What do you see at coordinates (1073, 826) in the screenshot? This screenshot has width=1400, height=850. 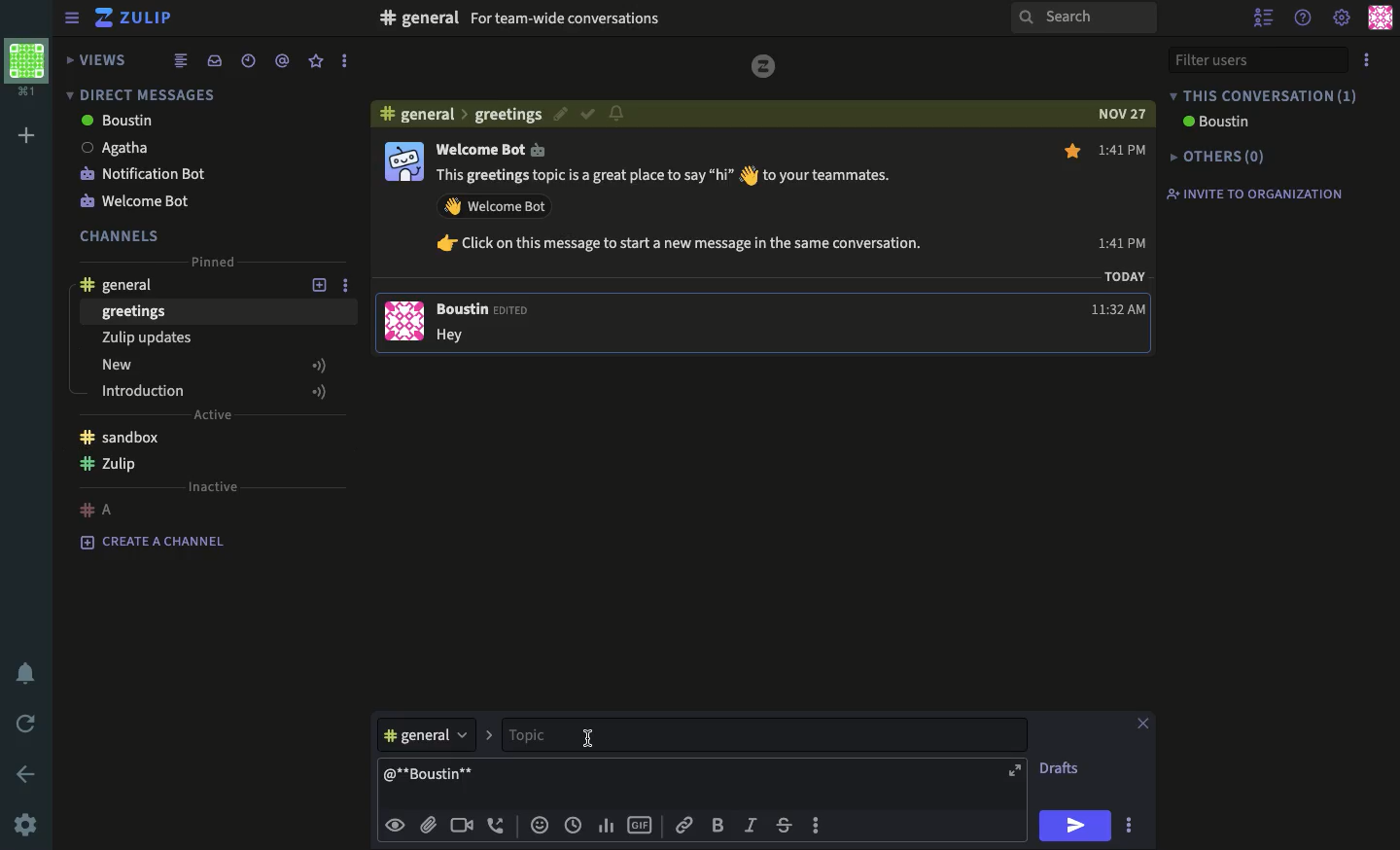 I see `send` at bounding box center [1073, 826].